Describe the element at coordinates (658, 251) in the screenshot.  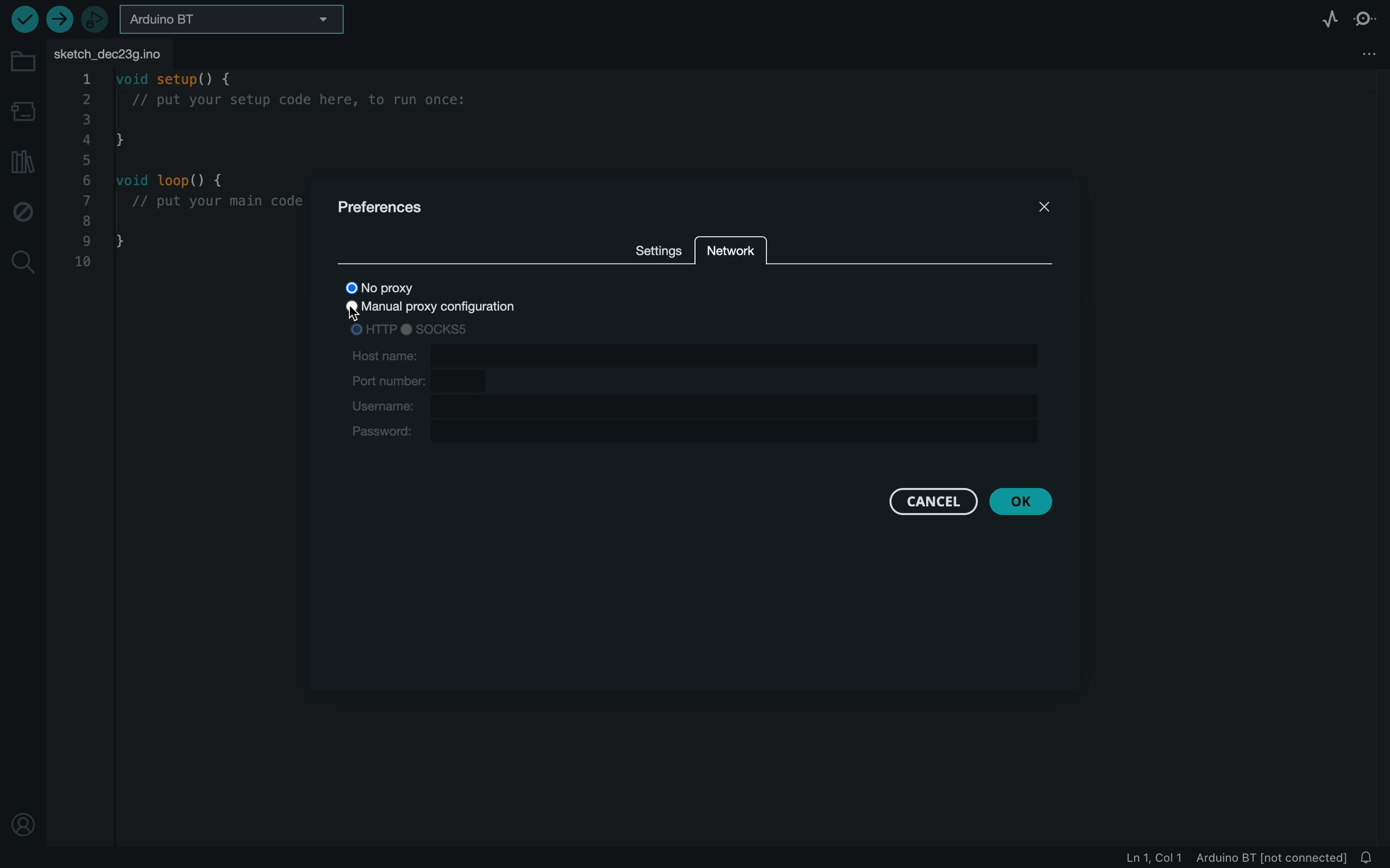
I see `settings` at that location.